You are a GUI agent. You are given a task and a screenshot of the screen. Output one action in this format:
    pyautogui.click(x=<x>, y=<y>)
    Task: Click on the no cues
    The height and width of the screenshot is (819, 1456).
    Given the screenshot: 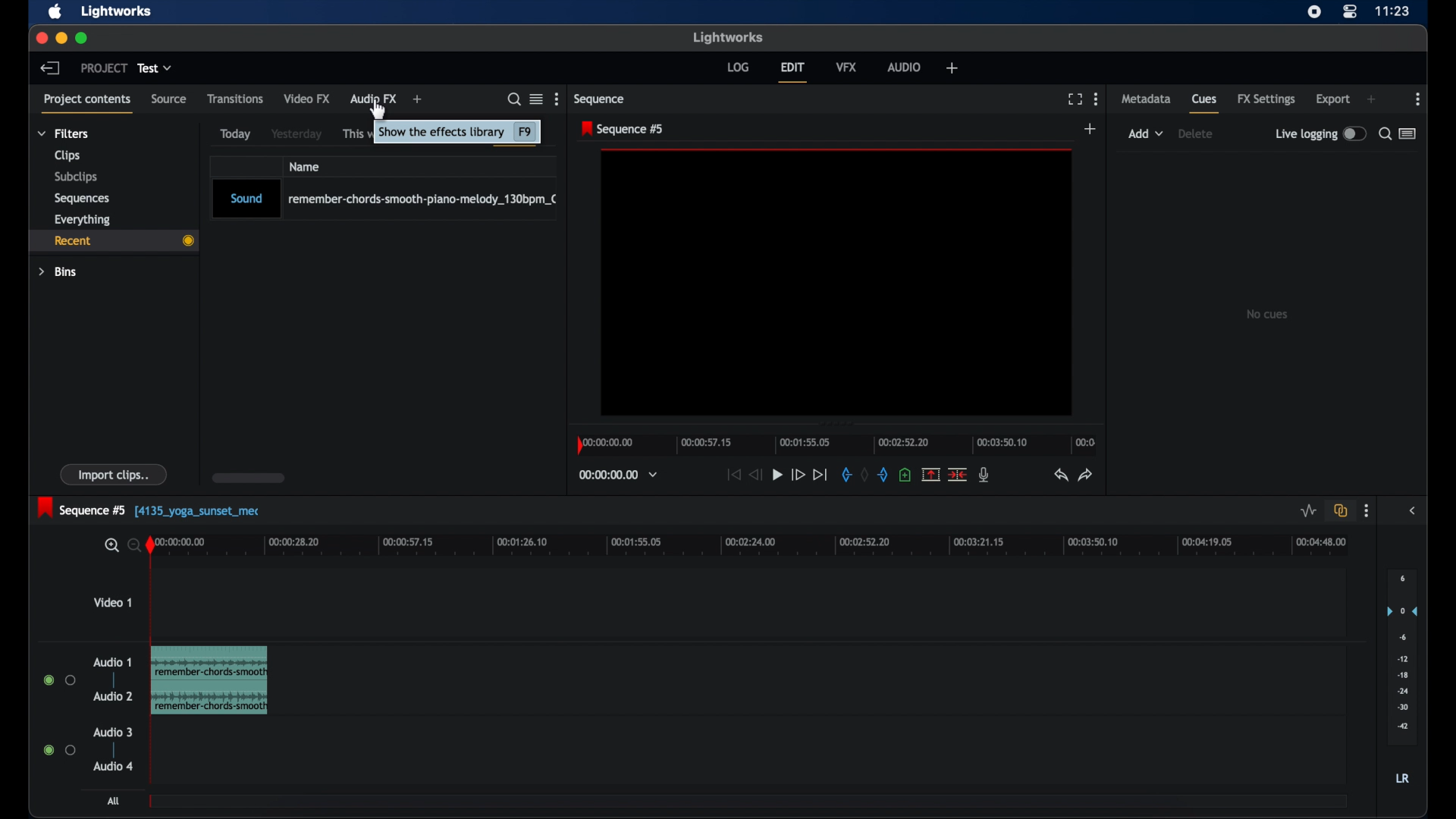 What is the action you would take?
    pyautogui.click(x=1266, y=314)
    